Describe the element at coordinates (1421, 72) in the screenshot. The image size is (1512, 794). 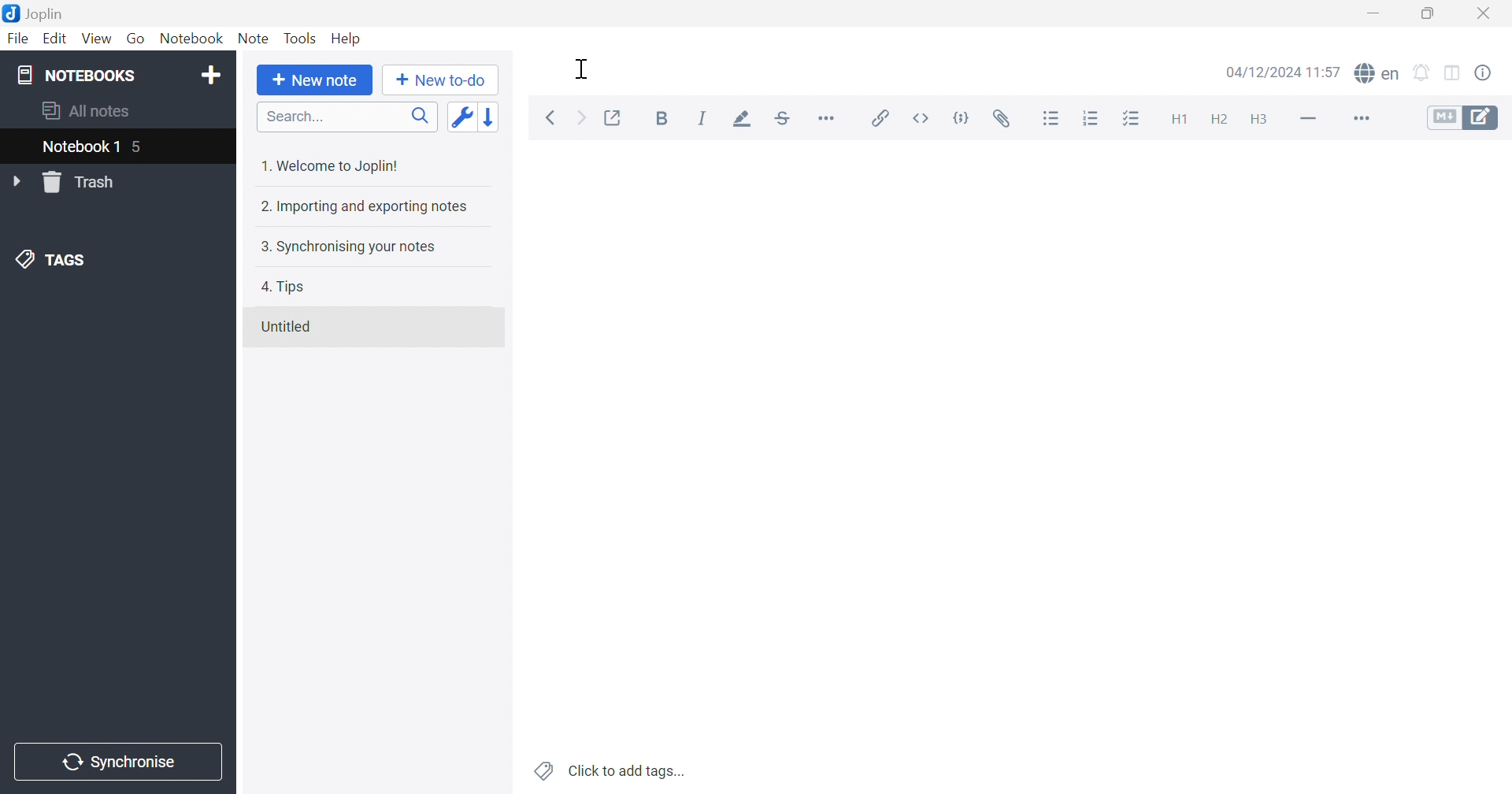
I see `Set alarm` at that location.